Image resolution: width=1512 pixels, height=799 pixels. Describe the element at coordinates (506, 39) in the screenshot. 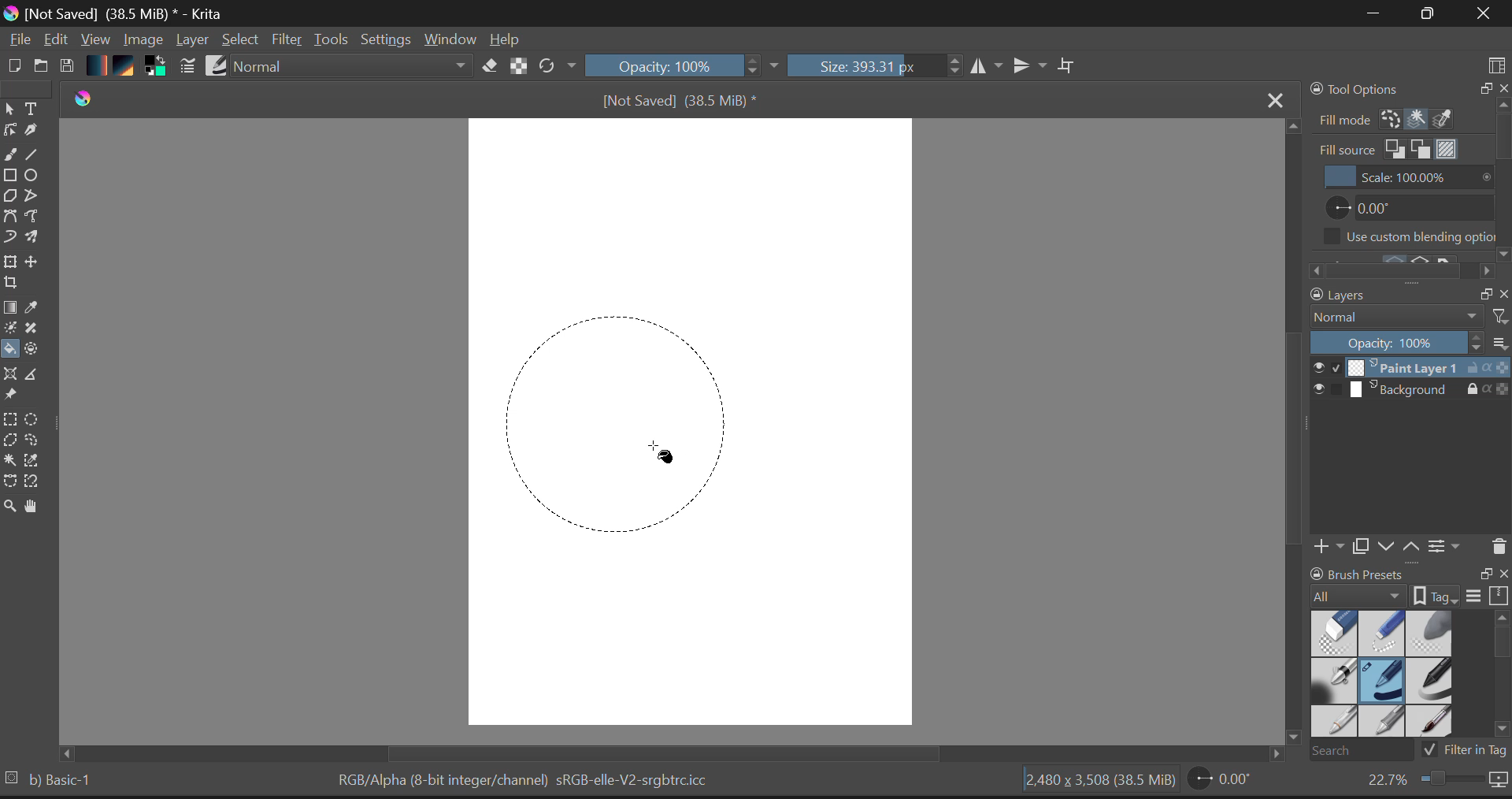

I see `Help` at that location.